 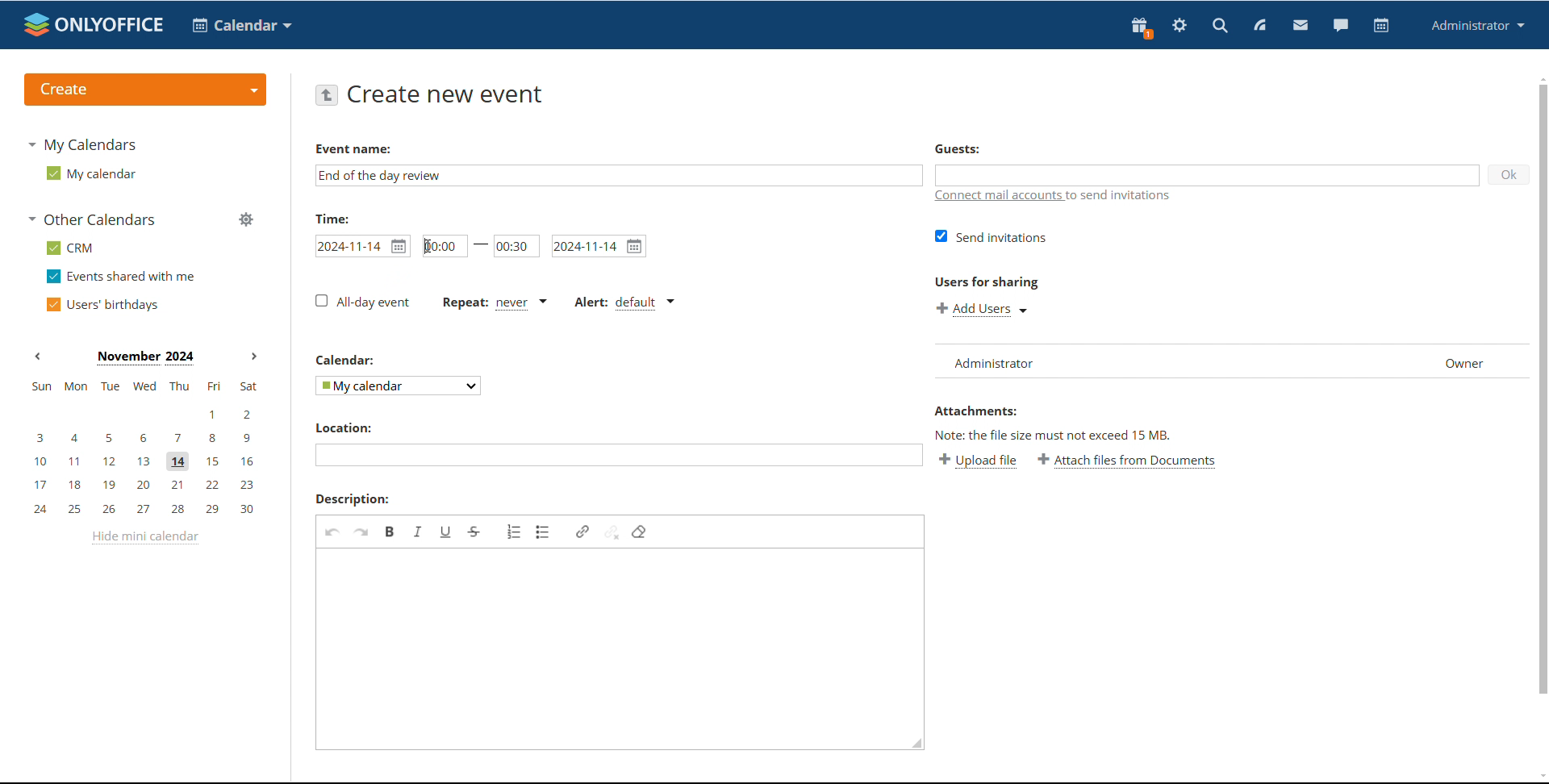 I want to click on send invitations, so click(x=992, y=236).